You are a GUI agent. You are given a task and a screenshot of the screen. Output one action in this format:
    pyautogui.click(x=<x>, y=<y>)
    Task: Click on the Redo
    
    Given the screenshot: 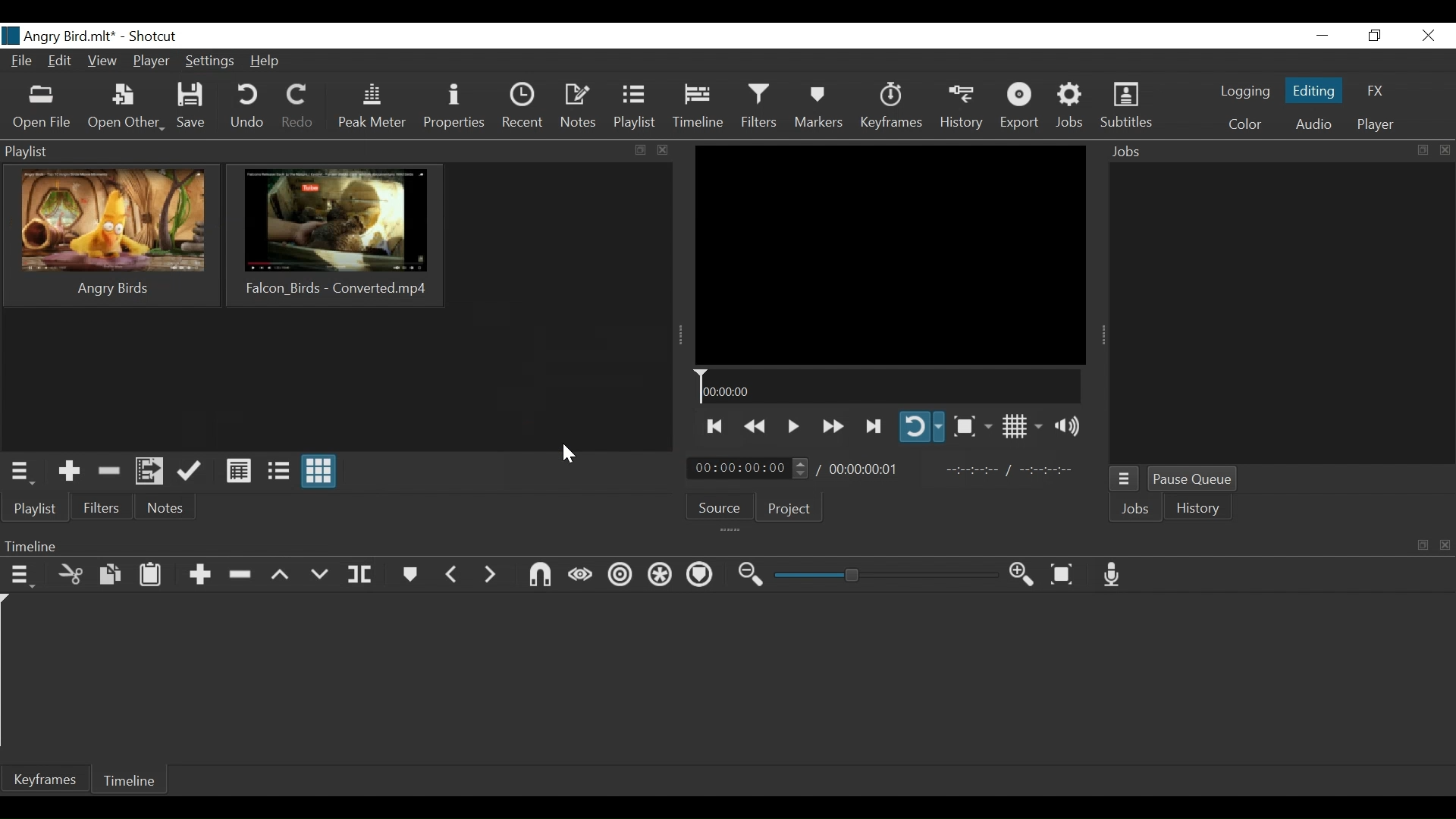 What is the action you would take?
    pyautogui.click(x=298, y=109)
    